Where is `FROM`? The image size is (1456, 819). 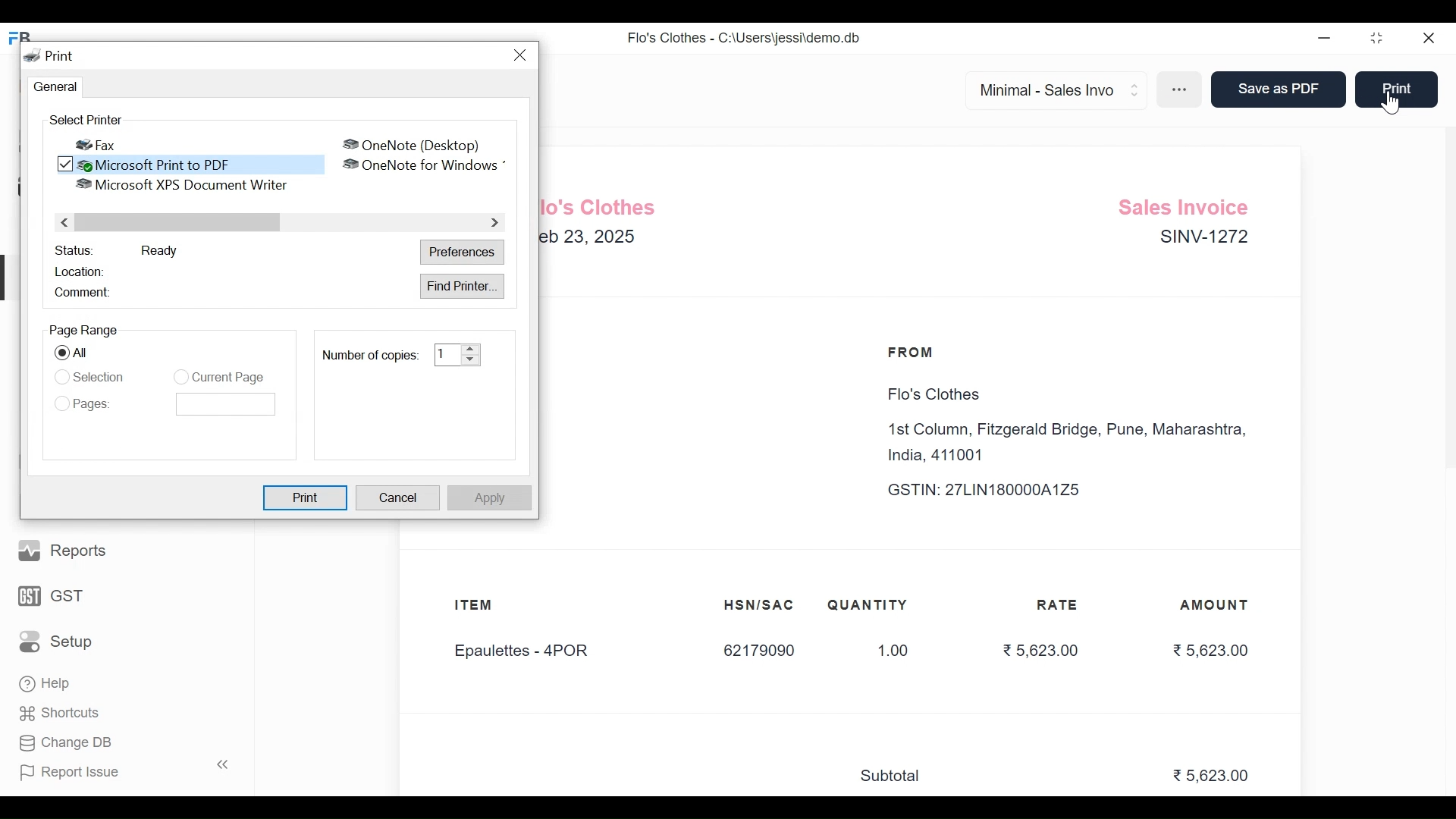
FROM is located at coordinates (915, 353).